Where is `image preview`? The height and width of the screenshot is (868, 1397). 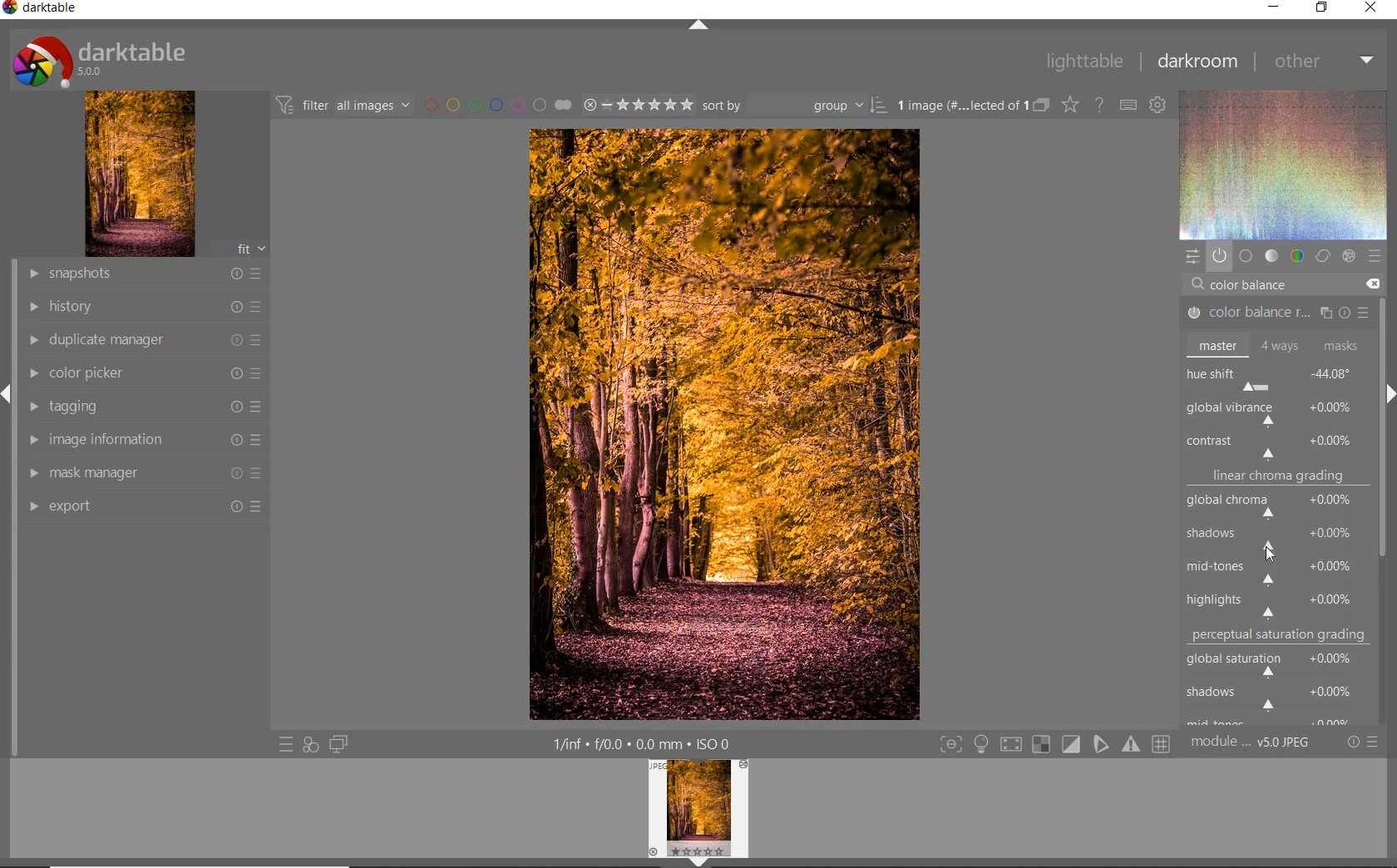 image preview is located at coordinates (698, 814).